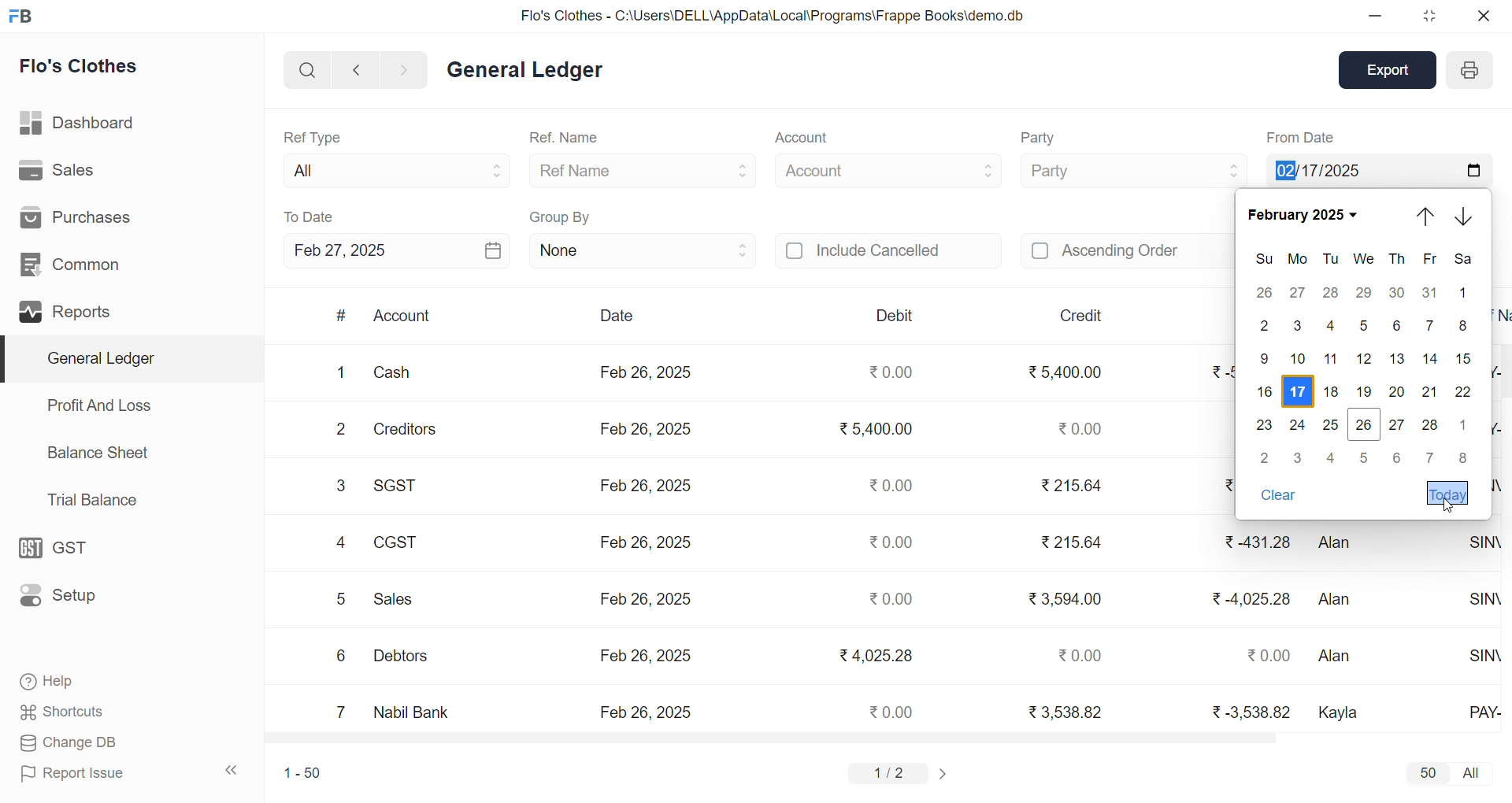 Image resolution: width=1512 pixels, height=803 pixels. What do you see at coordinates (644, 170) in the screenshot?
I see `Ref Name` at bounding box center [644, 170].